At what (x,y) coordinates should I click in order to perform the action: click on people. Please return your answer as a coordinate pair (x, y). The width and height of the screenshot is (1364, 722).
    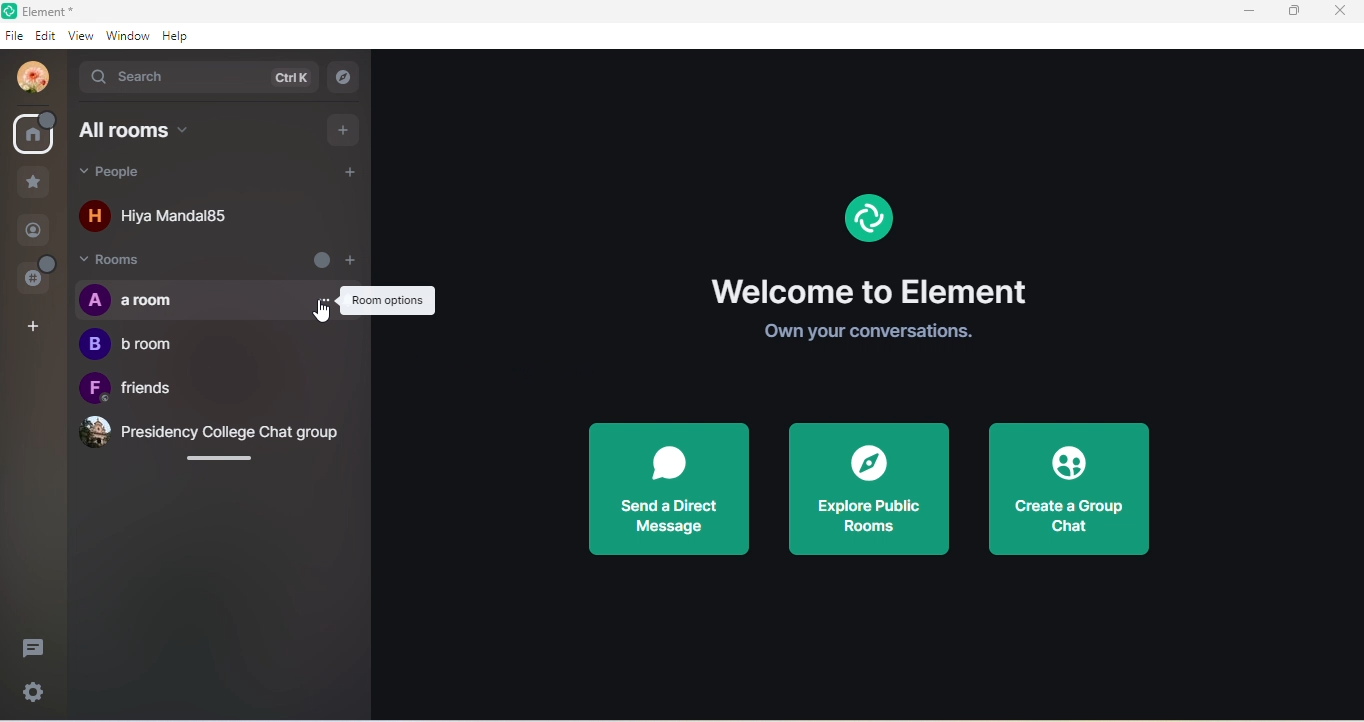
    Looking at the image, I should click on (35, 229).